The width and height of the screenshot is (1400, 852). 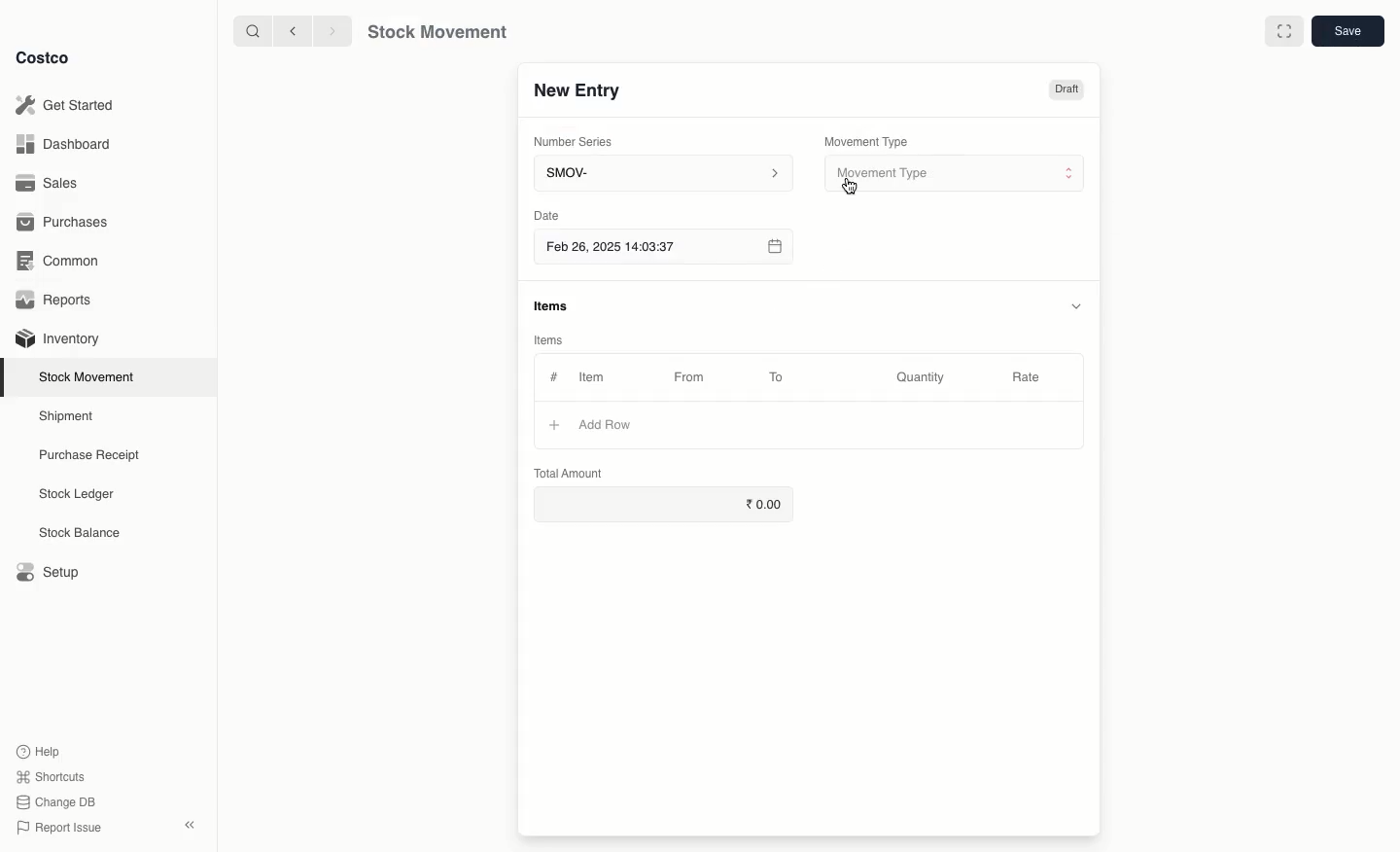 What do you see at coordinates (296, 32) in the screenshot?
I see `backward` at bounding box center [296, 32].